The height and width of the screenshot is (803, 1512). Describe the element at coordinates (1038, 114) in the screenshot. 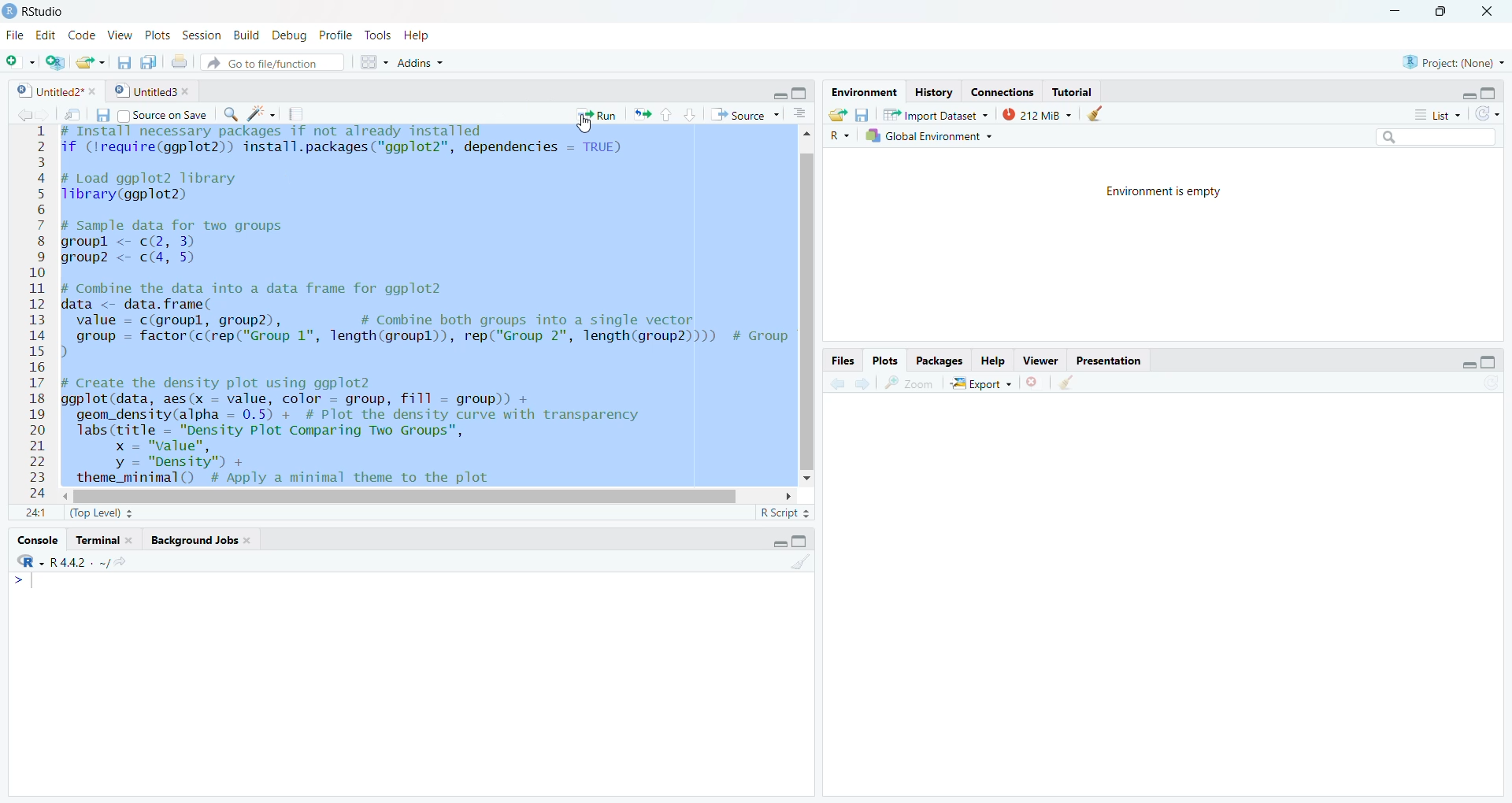

I see `212 MB` at that location.